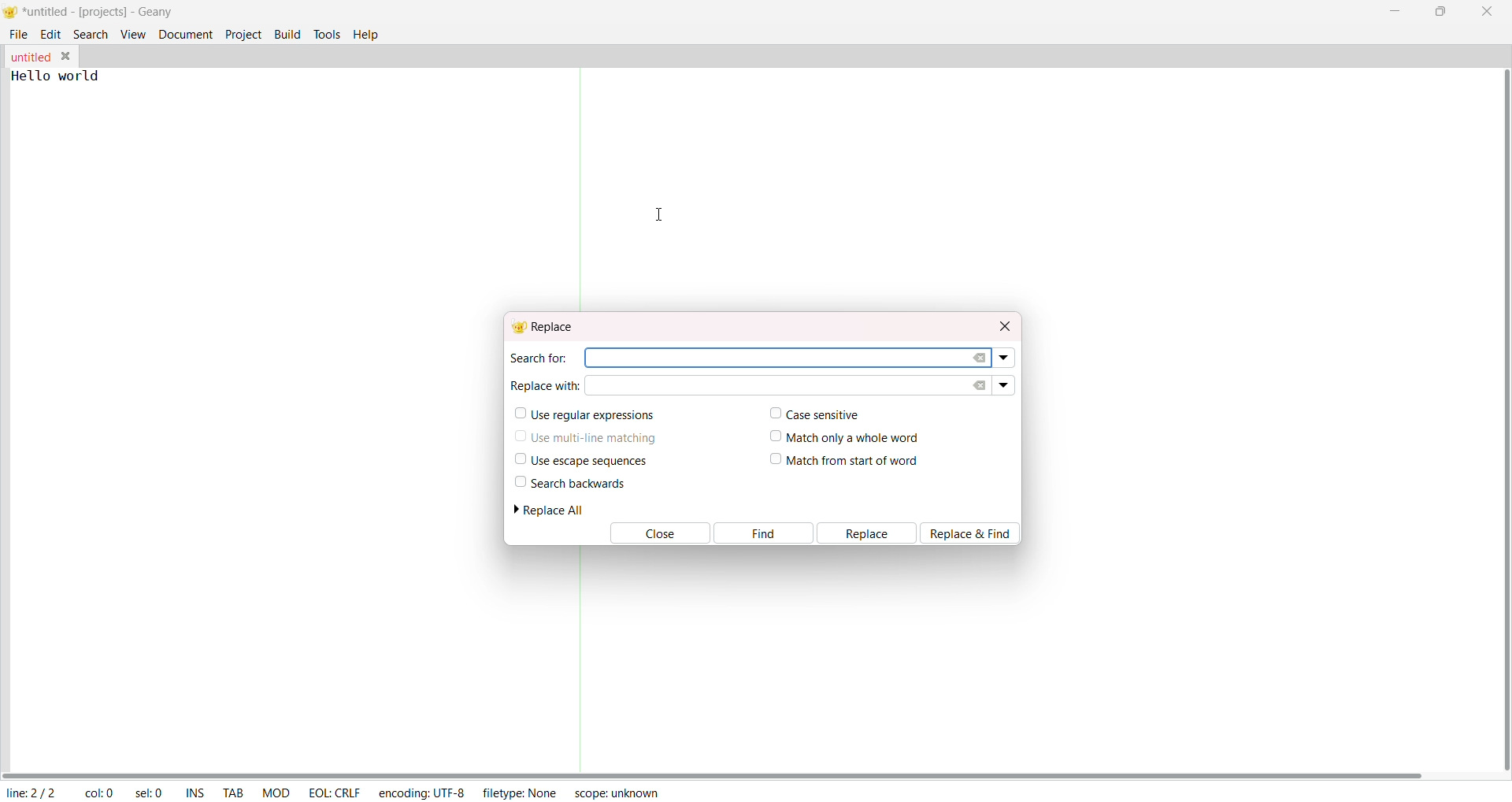  I want to click on logo, so click(10, 13).